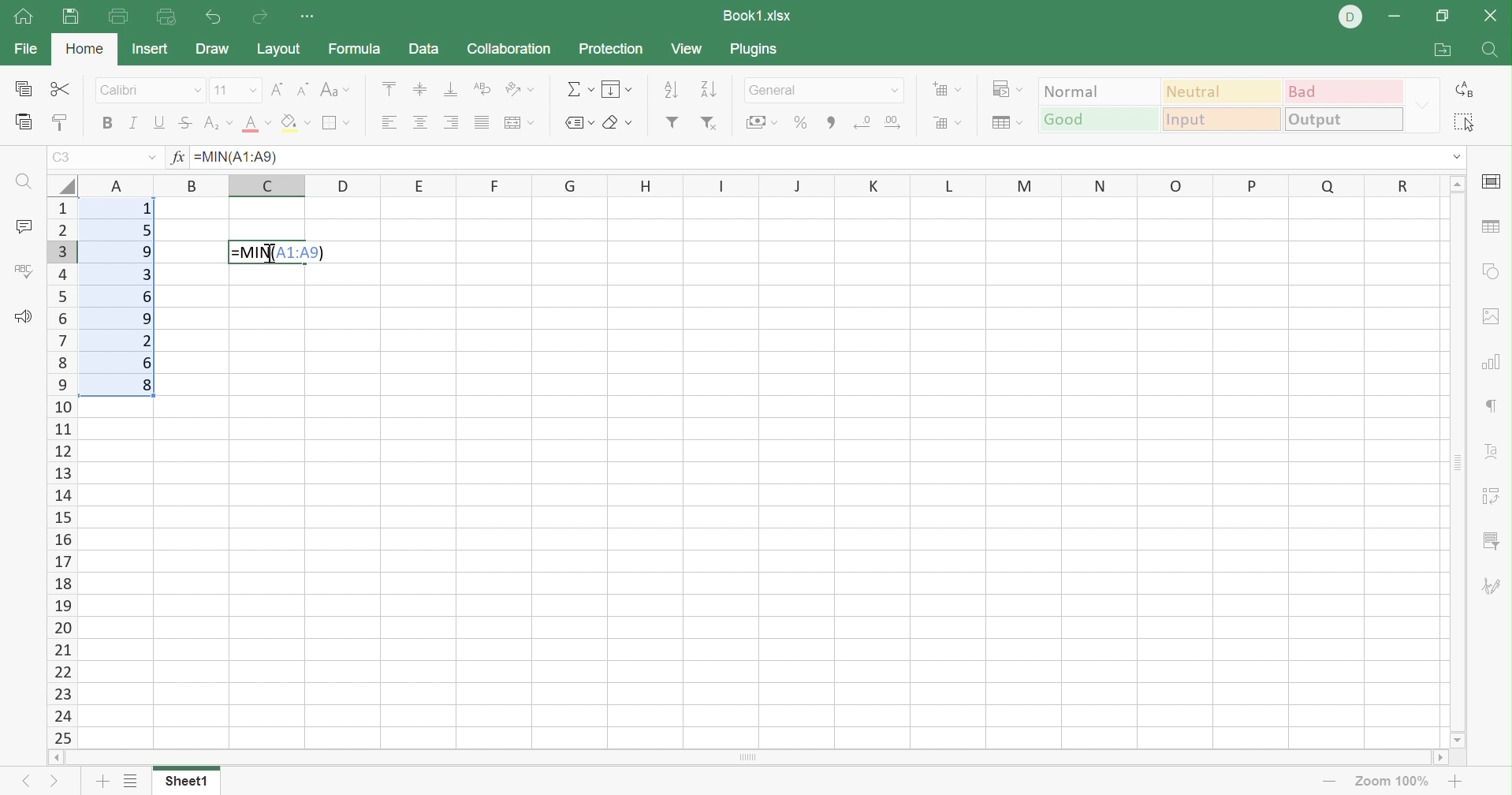 The height and width of the screenshot is (795, 1512). What do you see at coordinates (143, 211) in the screenshot?
I see `1` at bounding box center [143, 211].